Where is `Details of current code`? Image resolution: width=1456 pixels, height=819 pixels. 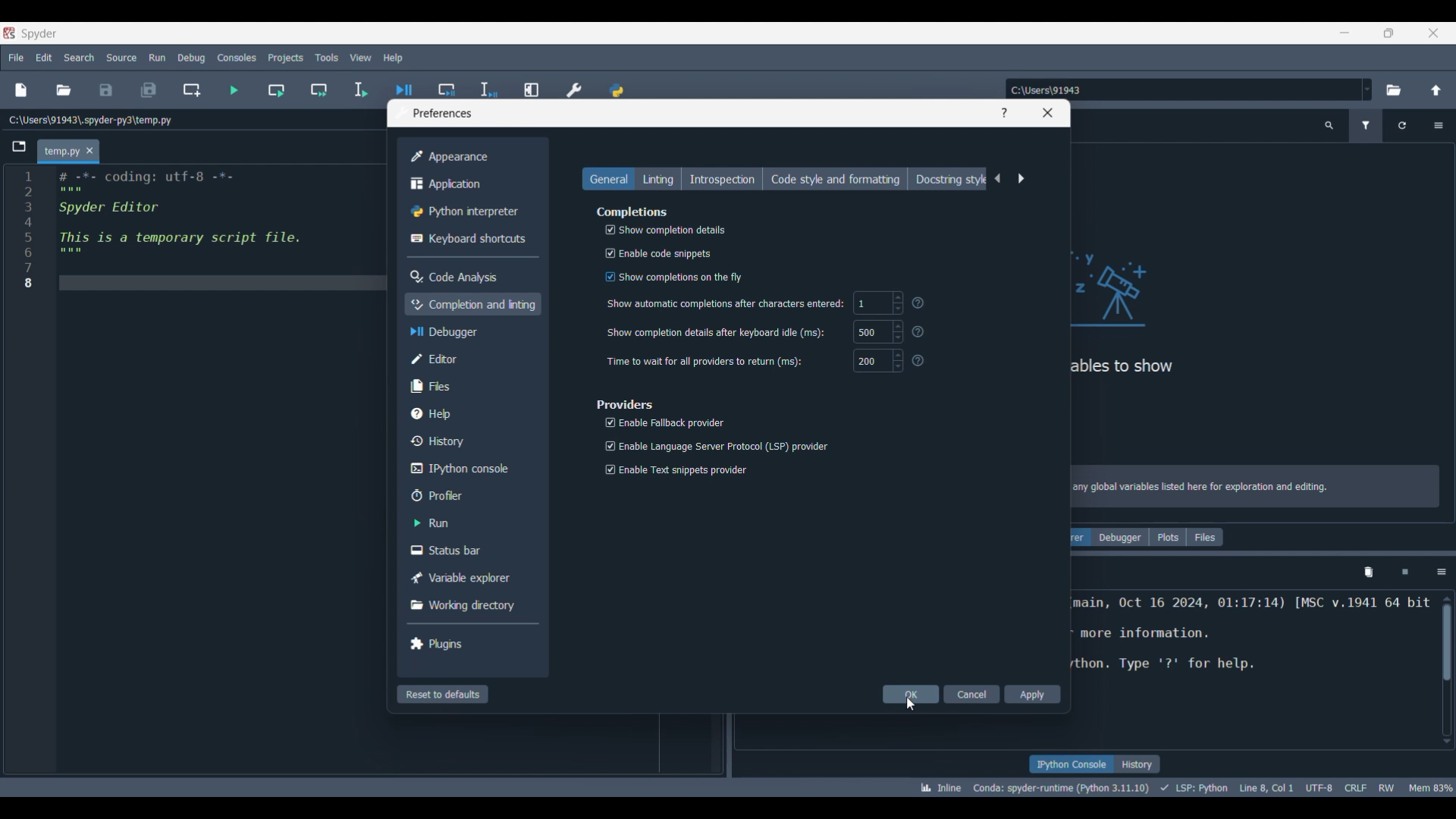
Details of current code is located at coordinates (1185, 787).